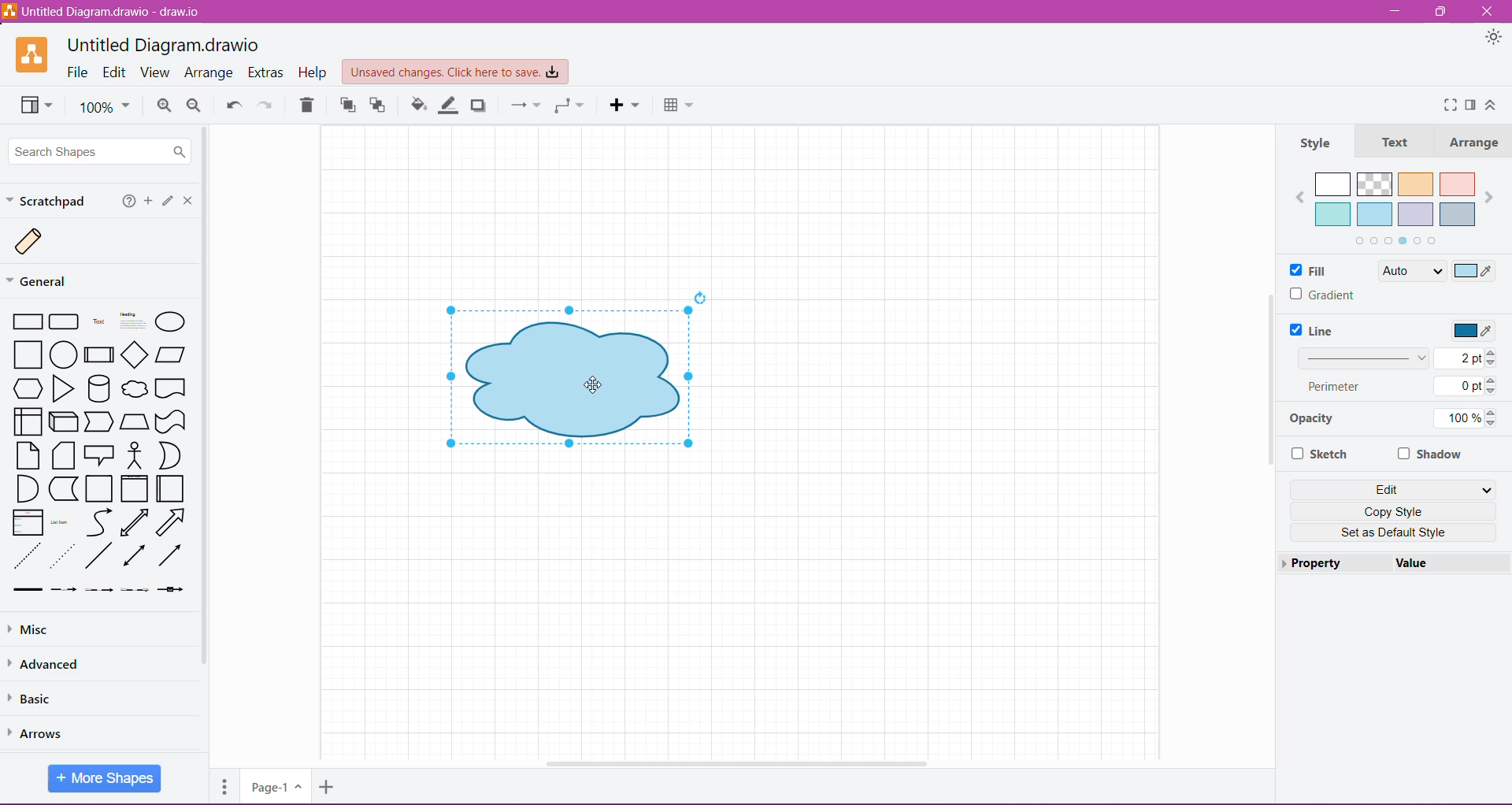  I want to click on Minimize, so click(1393, 12).